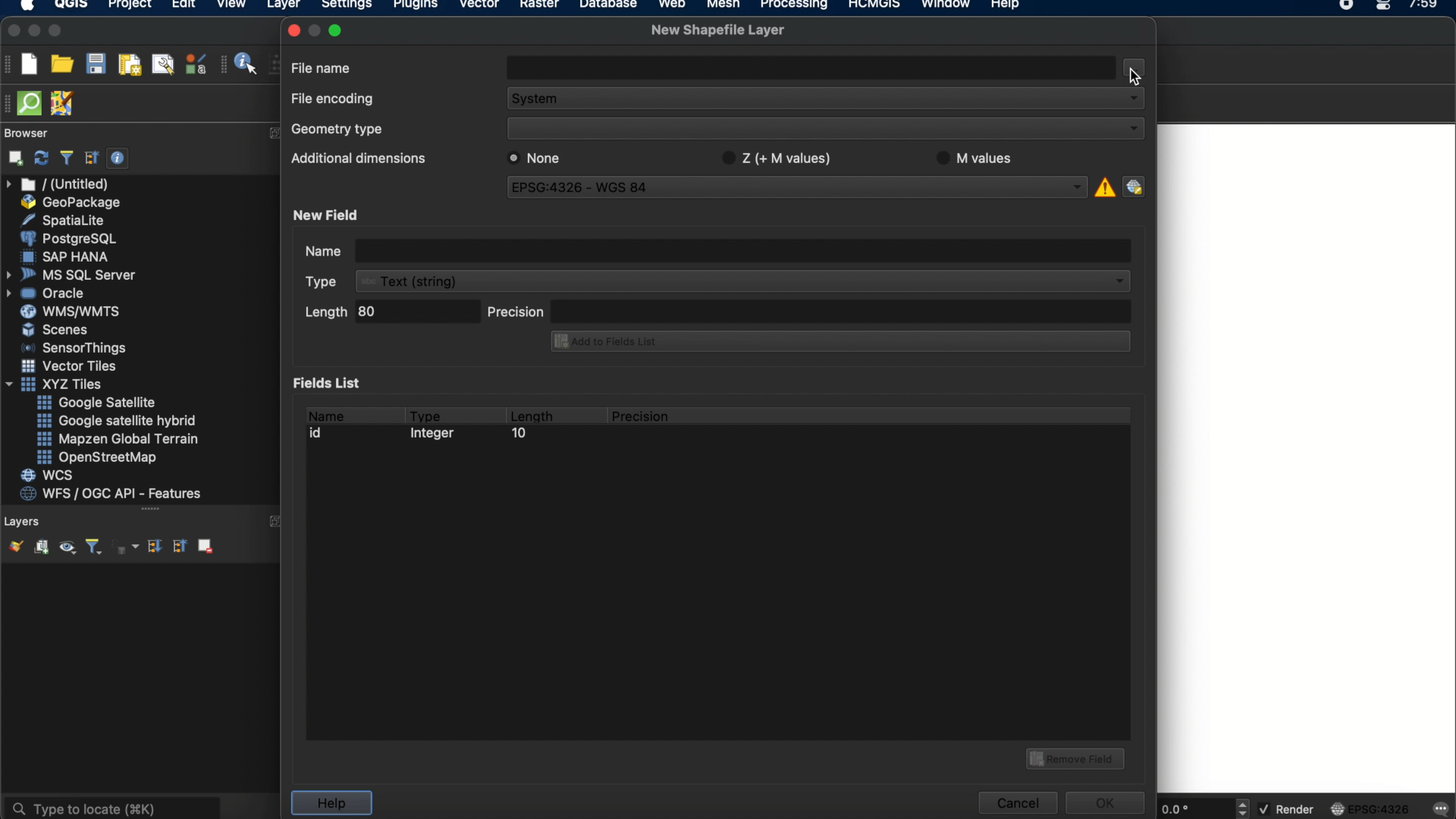  I want to click on close, so click(293, 30).